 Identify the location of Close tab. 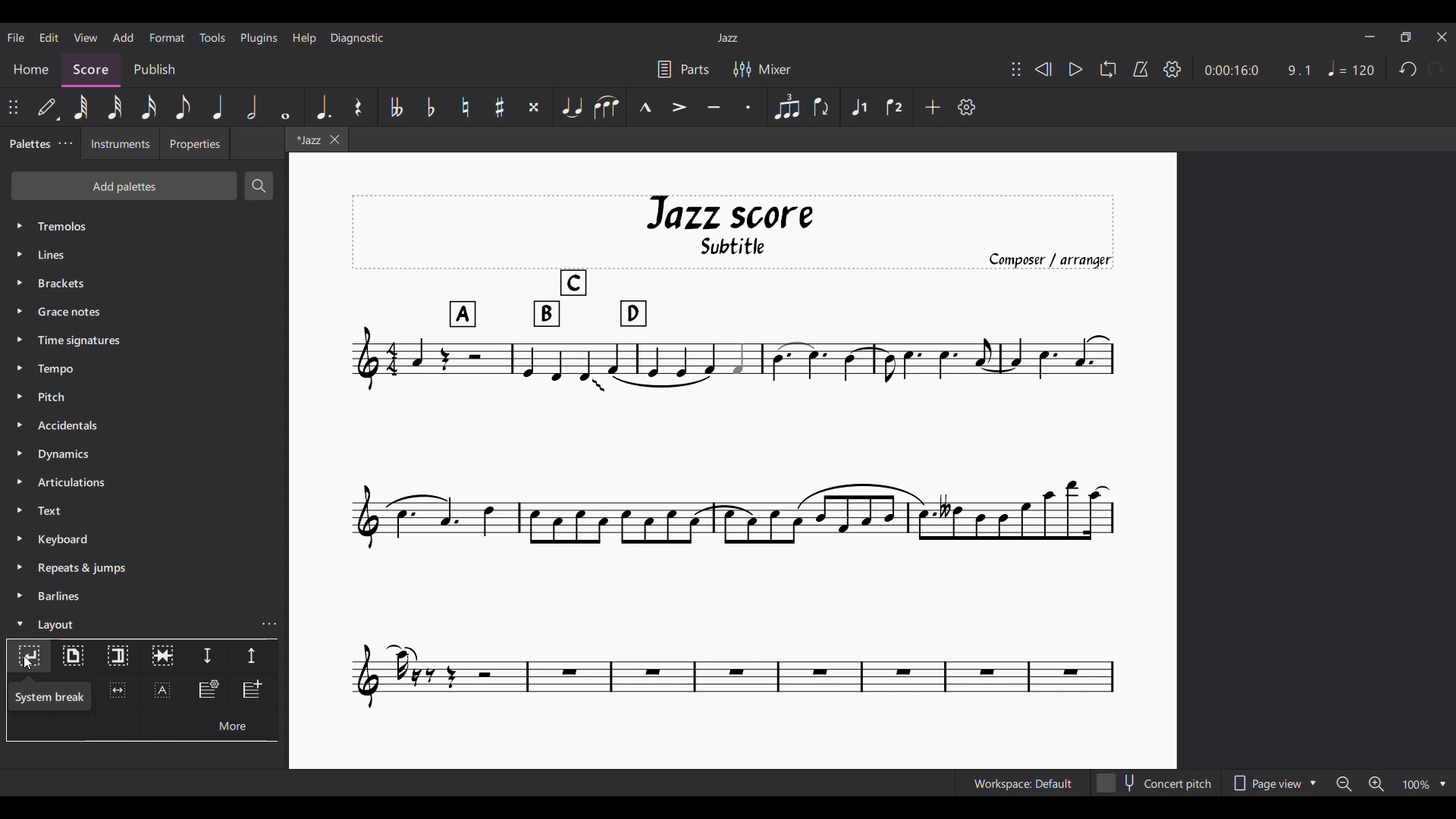
(335, 140).